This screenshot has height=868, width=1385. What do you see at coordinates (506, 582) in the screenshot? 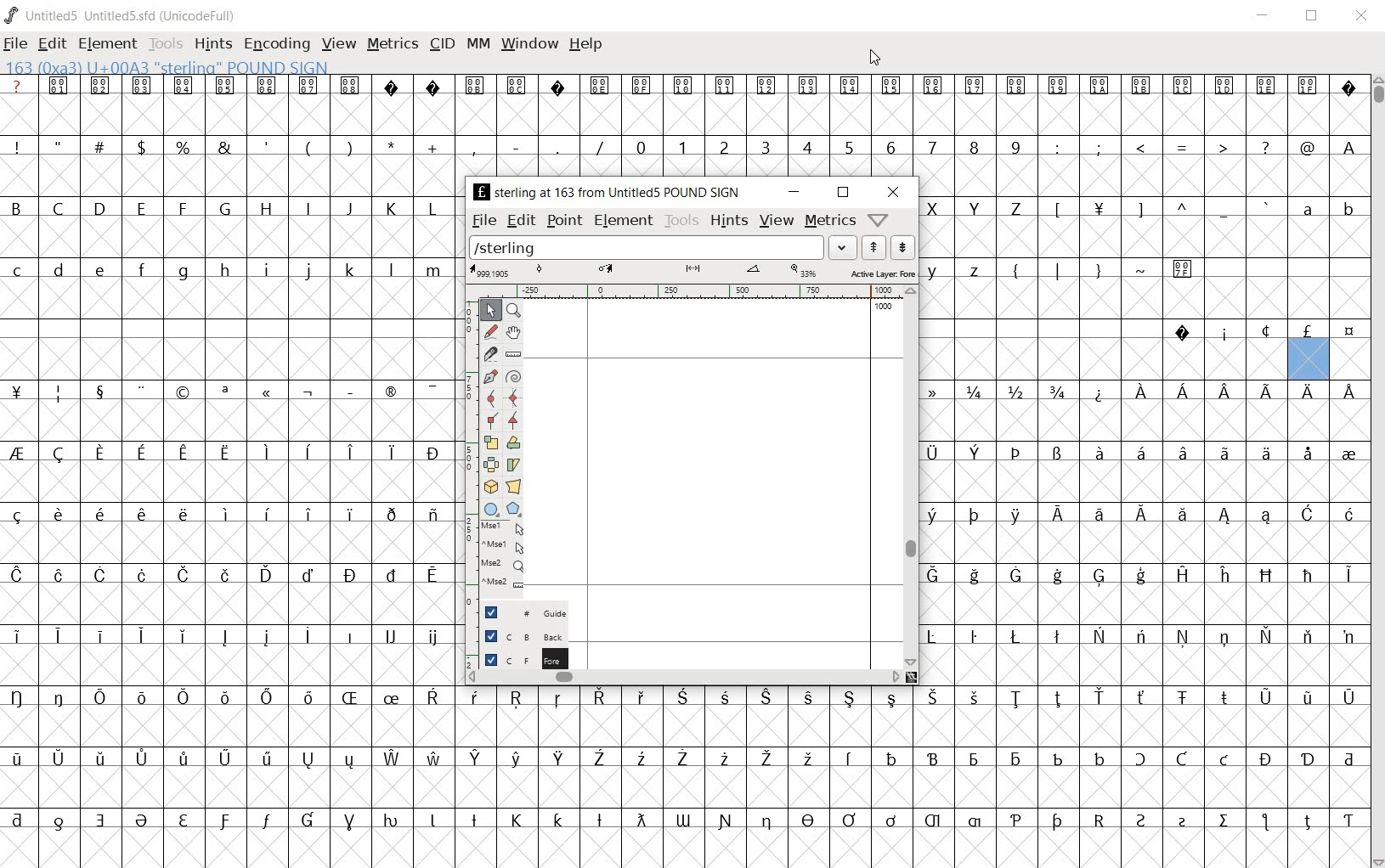
I see `Mouse wheel button + Ctrl` at bounding box center [506, 582].